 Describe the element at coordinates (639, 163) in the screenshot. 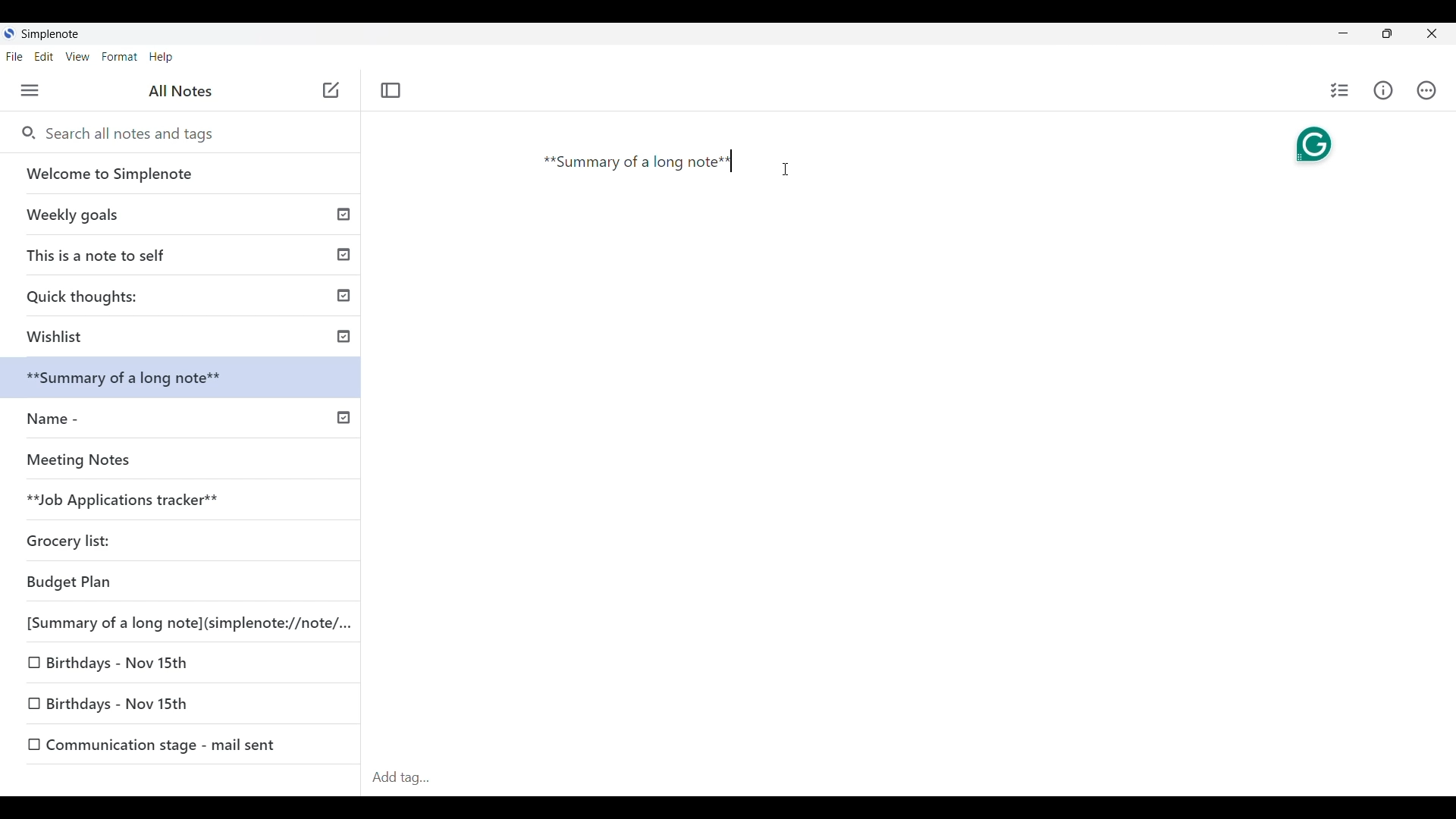

I see `Summary of a long note` at that location.